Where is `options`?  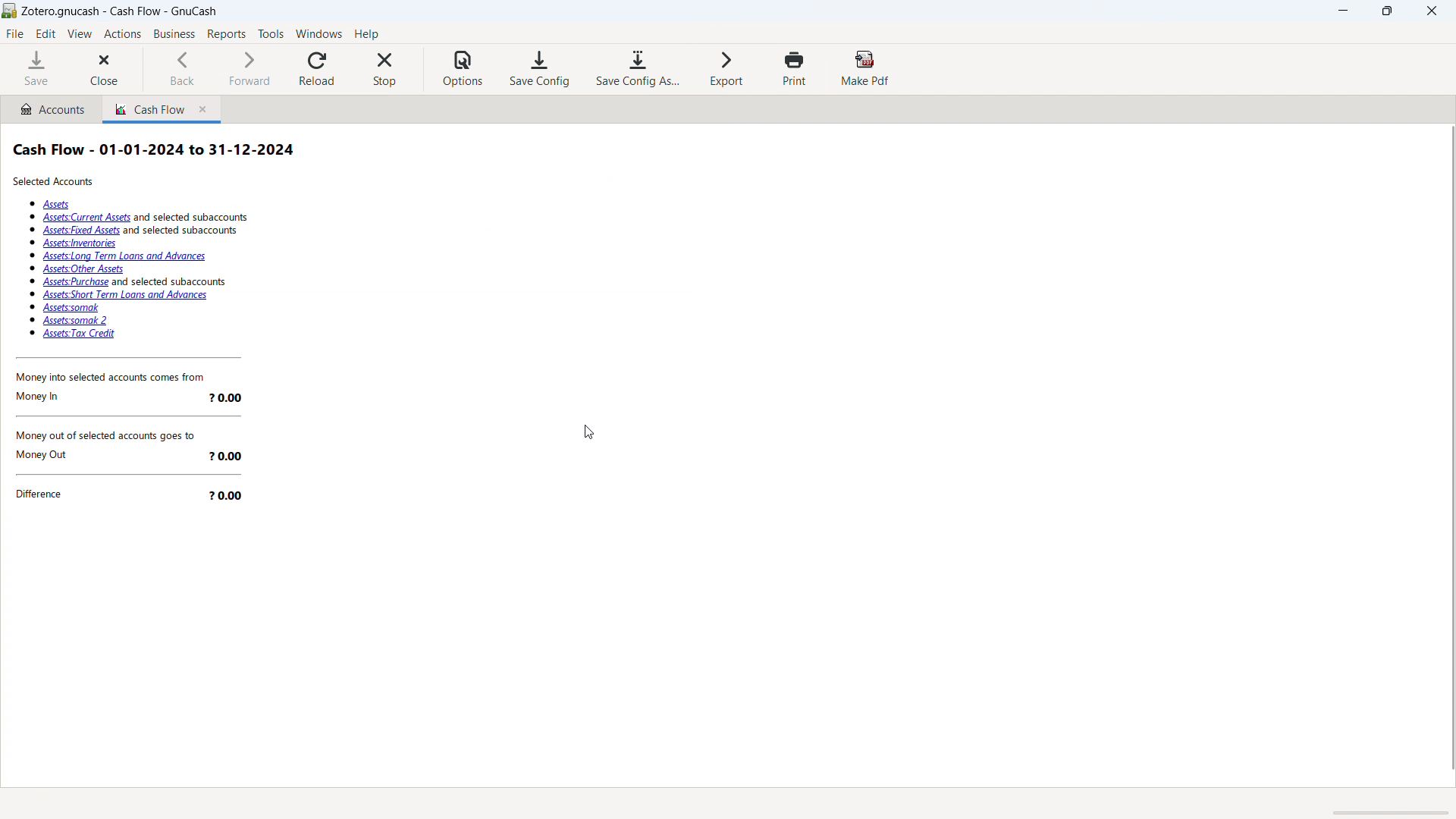
options is located at coordinates (466, 69).